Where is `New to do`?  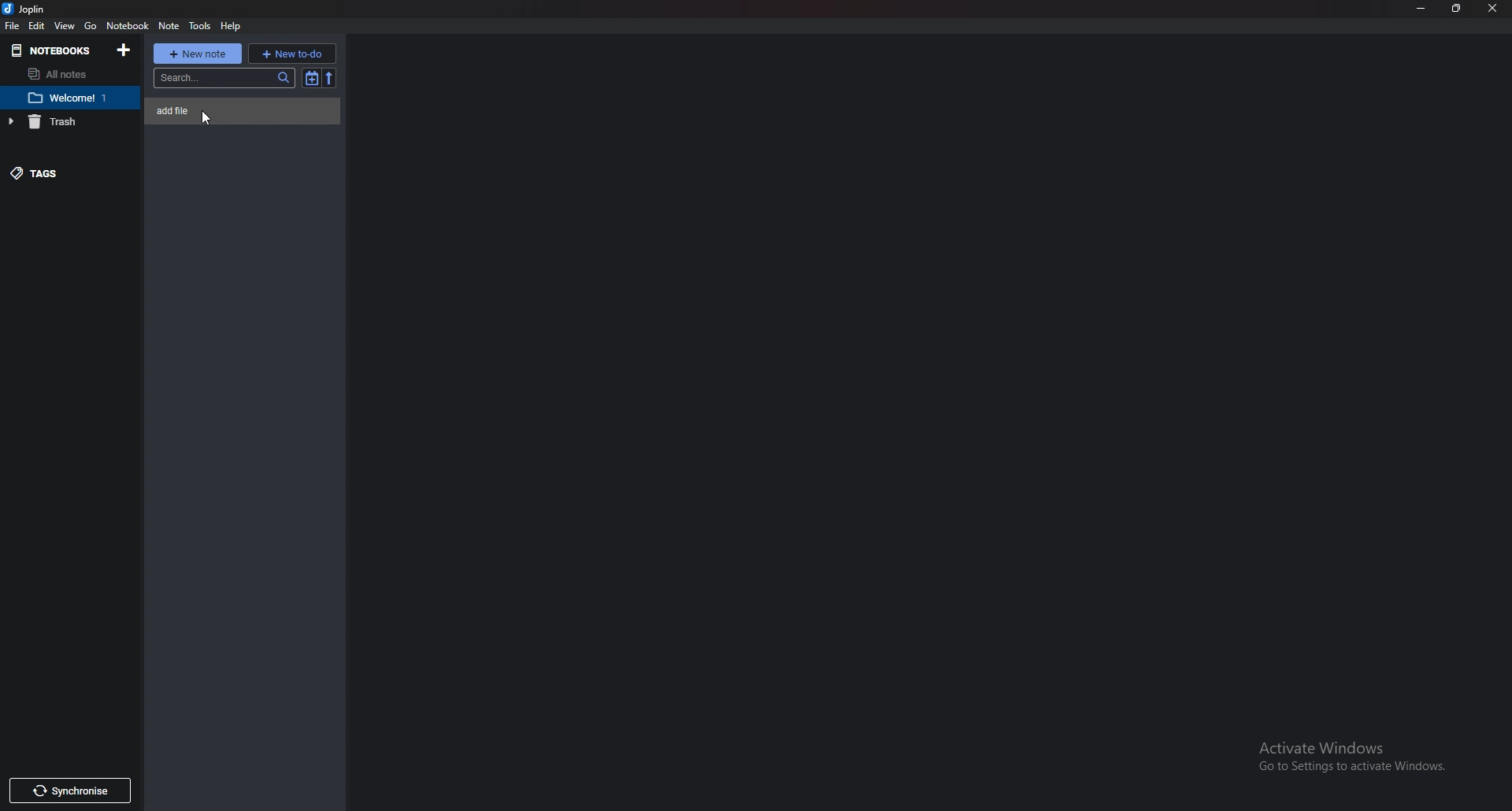
New to do is located at coordinates (292, 53).